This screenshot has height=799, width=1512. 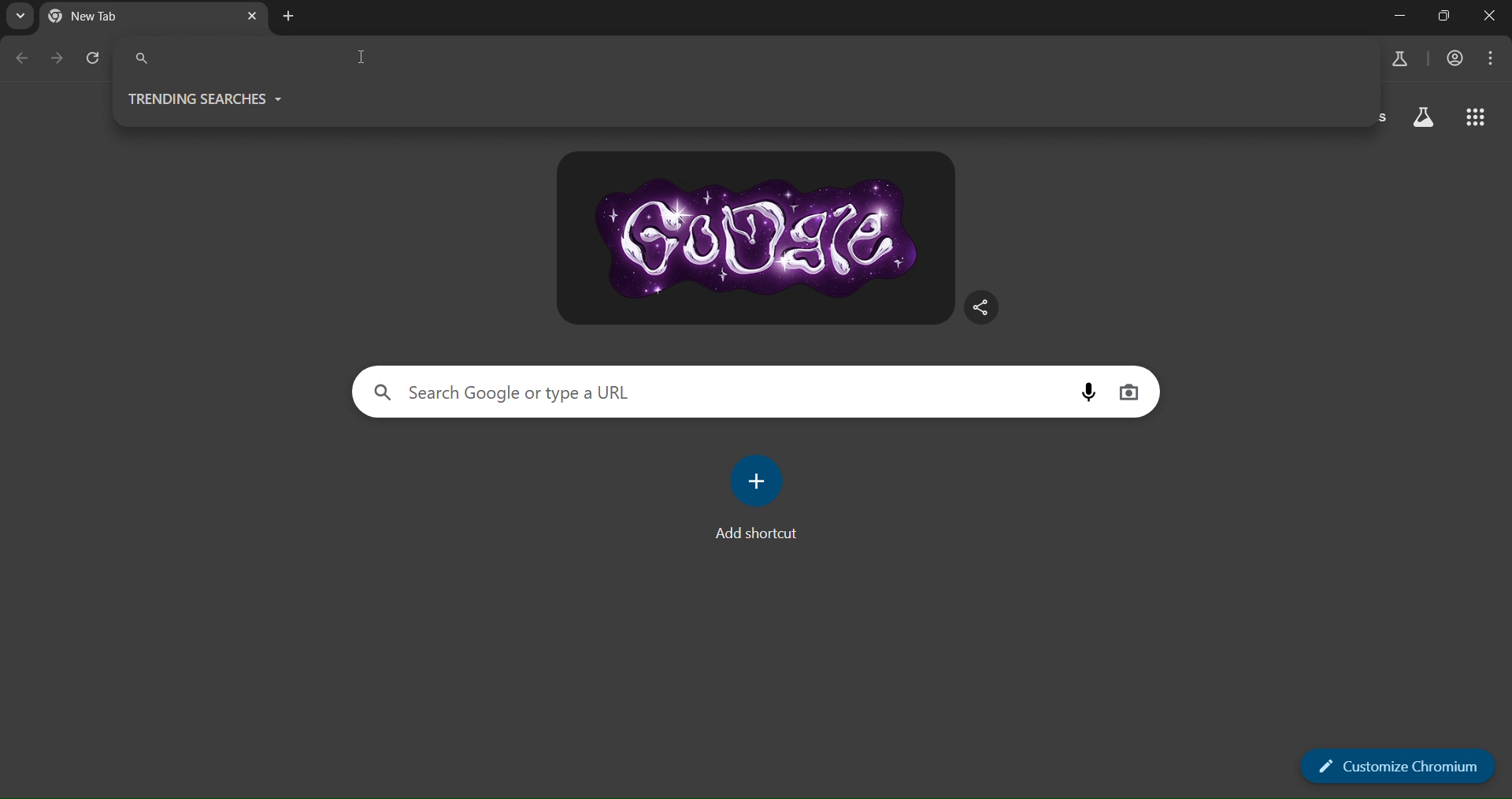 I want to click on search pnael, so click(x=337, y=57).